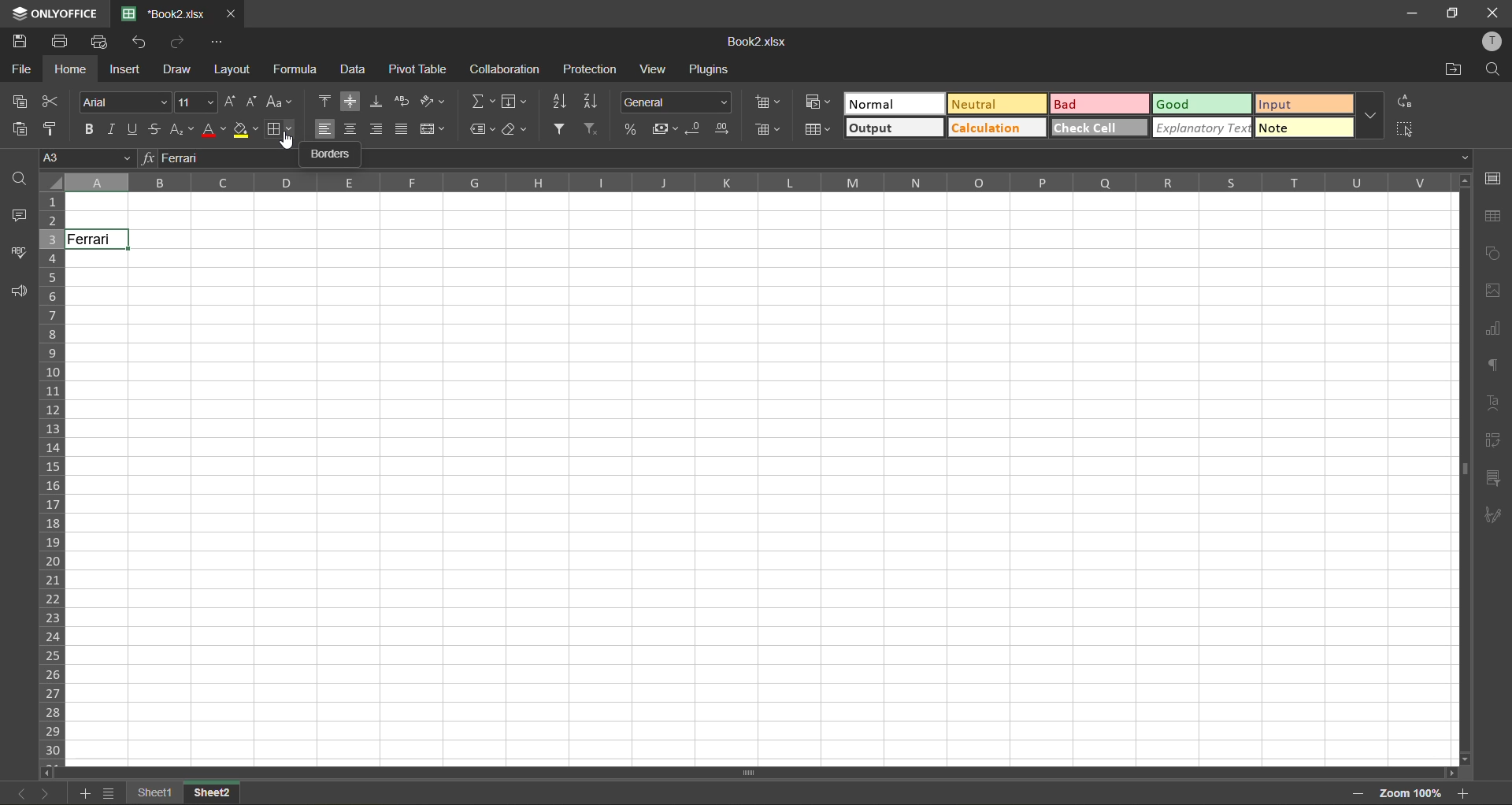 The image size is (1512, 805). I want to click on sheet list, so click(109, 793).